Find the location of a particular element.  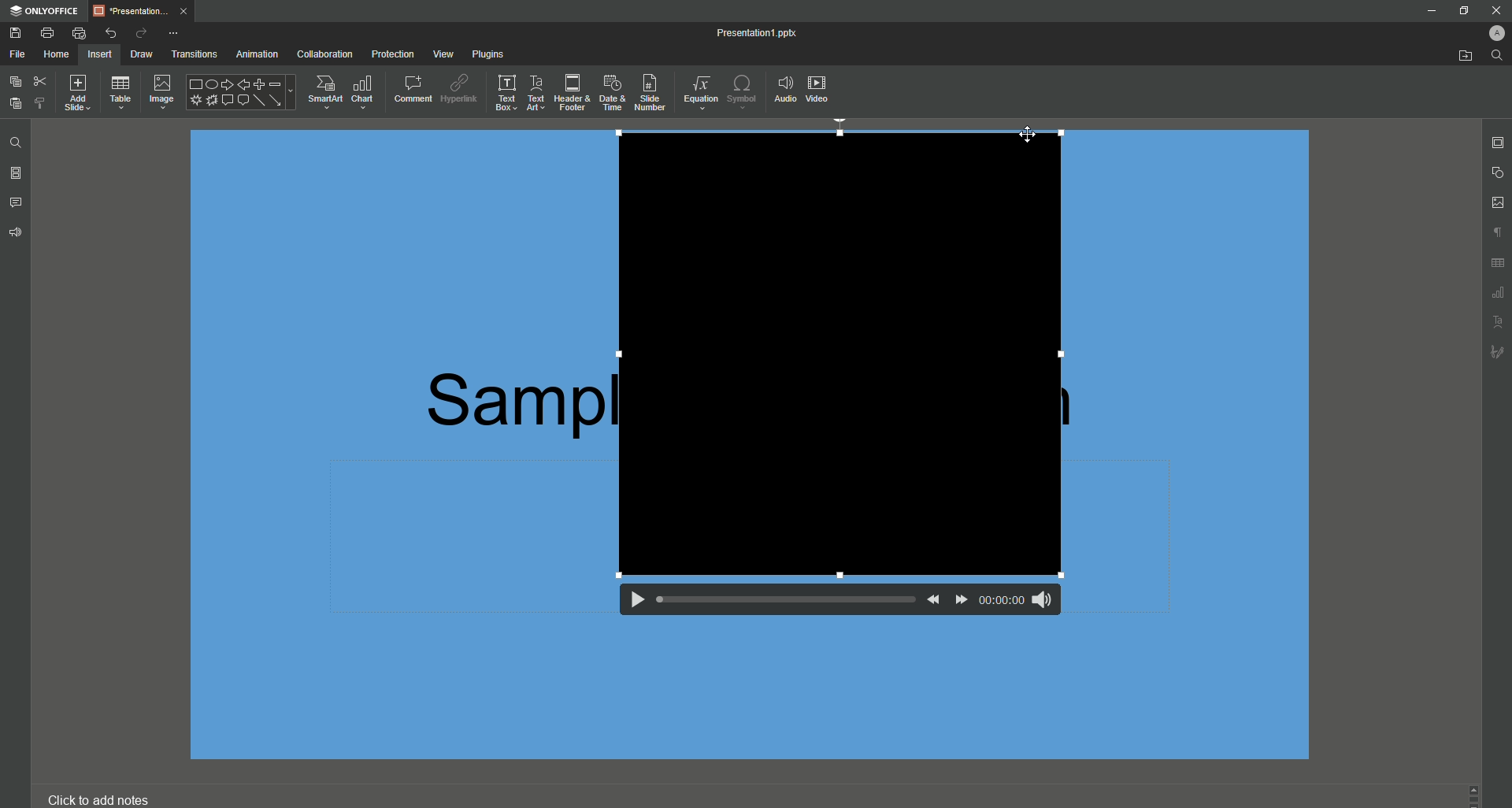

Profile is located at coordinates (1495, 34).